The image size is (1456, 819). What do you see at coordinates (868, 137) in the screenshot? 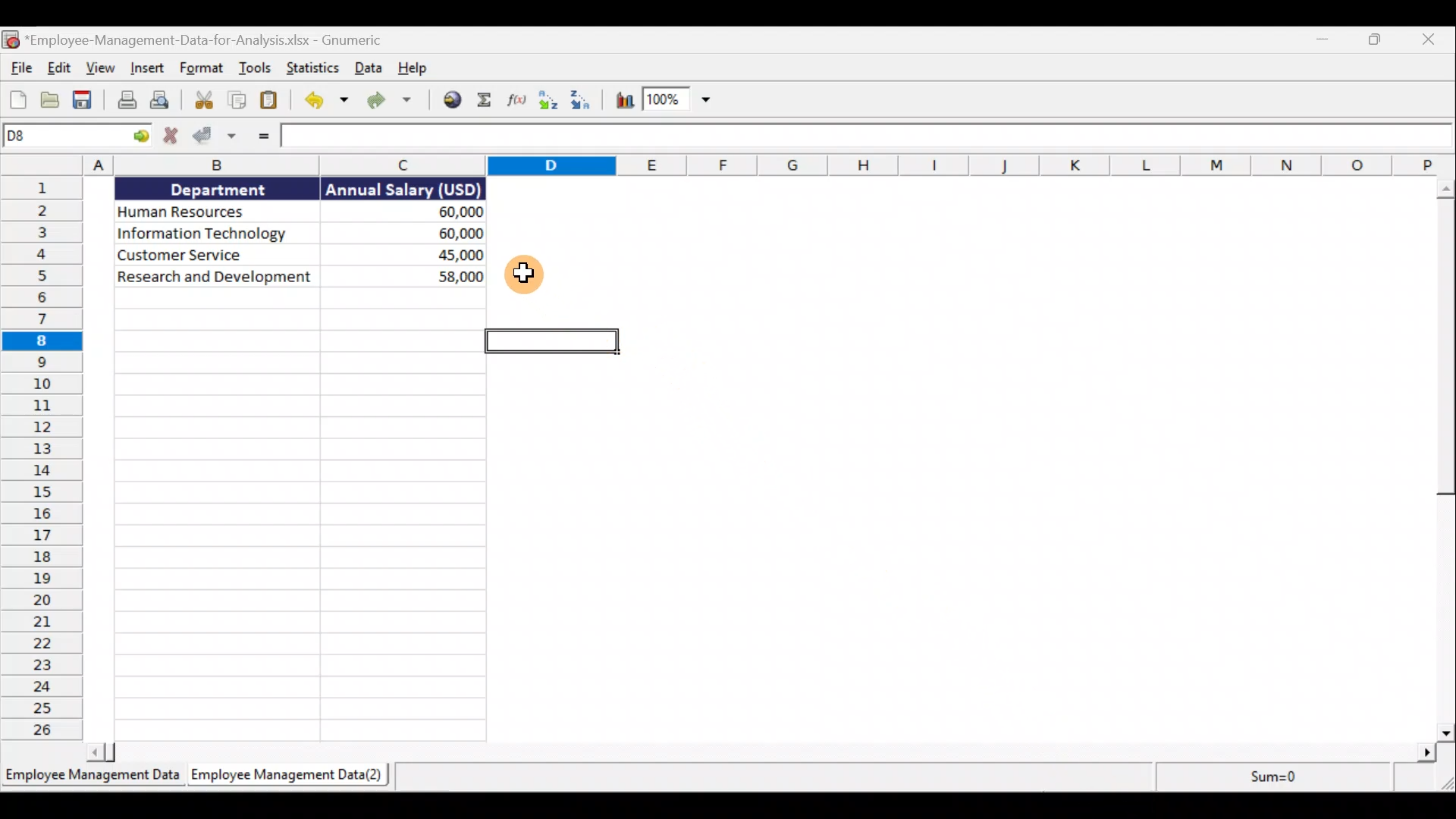
I see `Formula bar` at bounding box center [868, 137].